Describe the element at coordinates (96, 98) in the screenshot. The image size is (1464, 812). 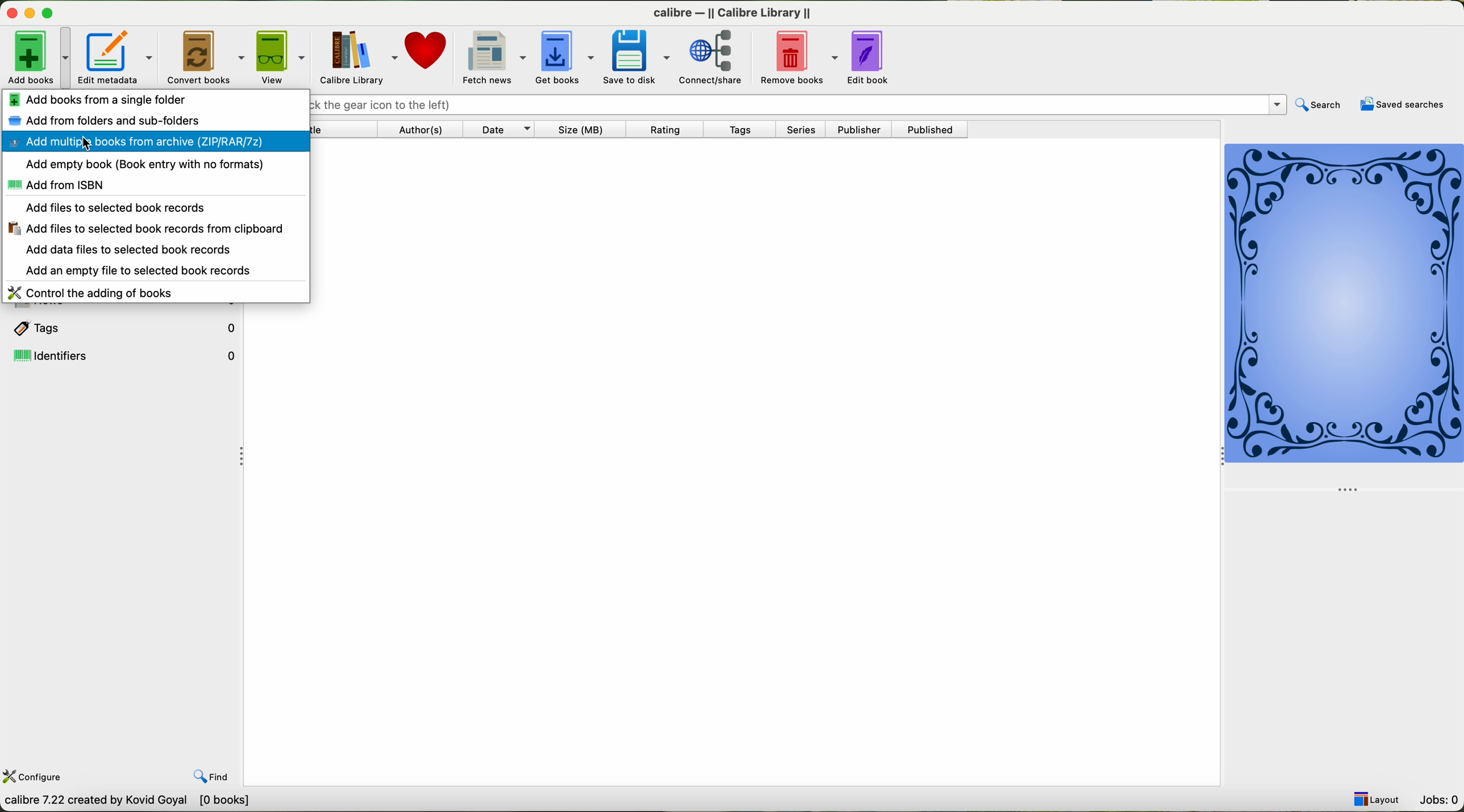
I see `add books from a single folder` at that location.